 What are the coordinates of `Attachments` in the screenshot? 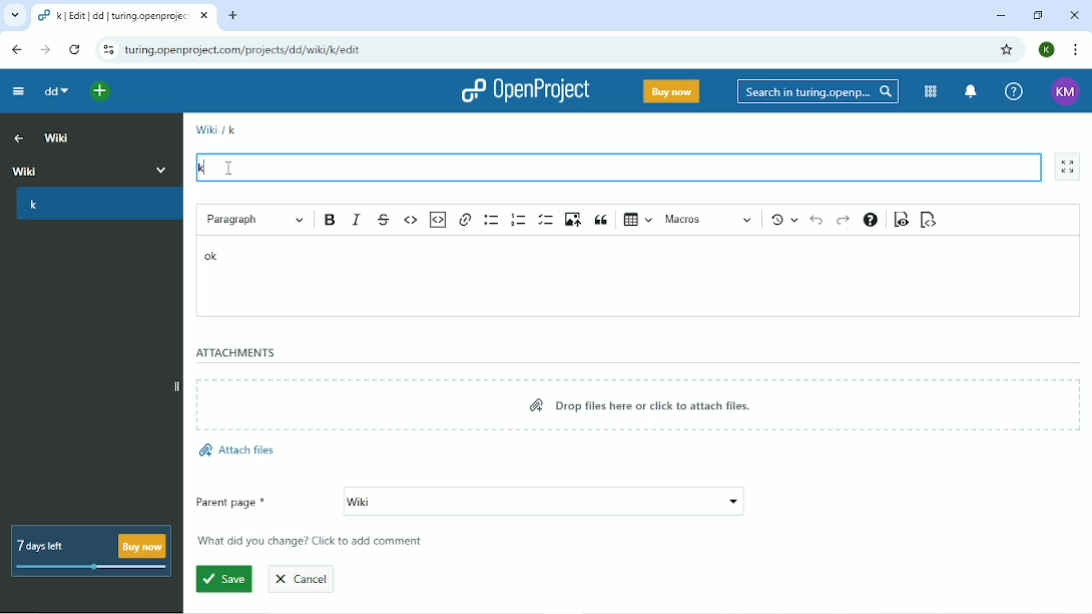 It's located at (237, 352).